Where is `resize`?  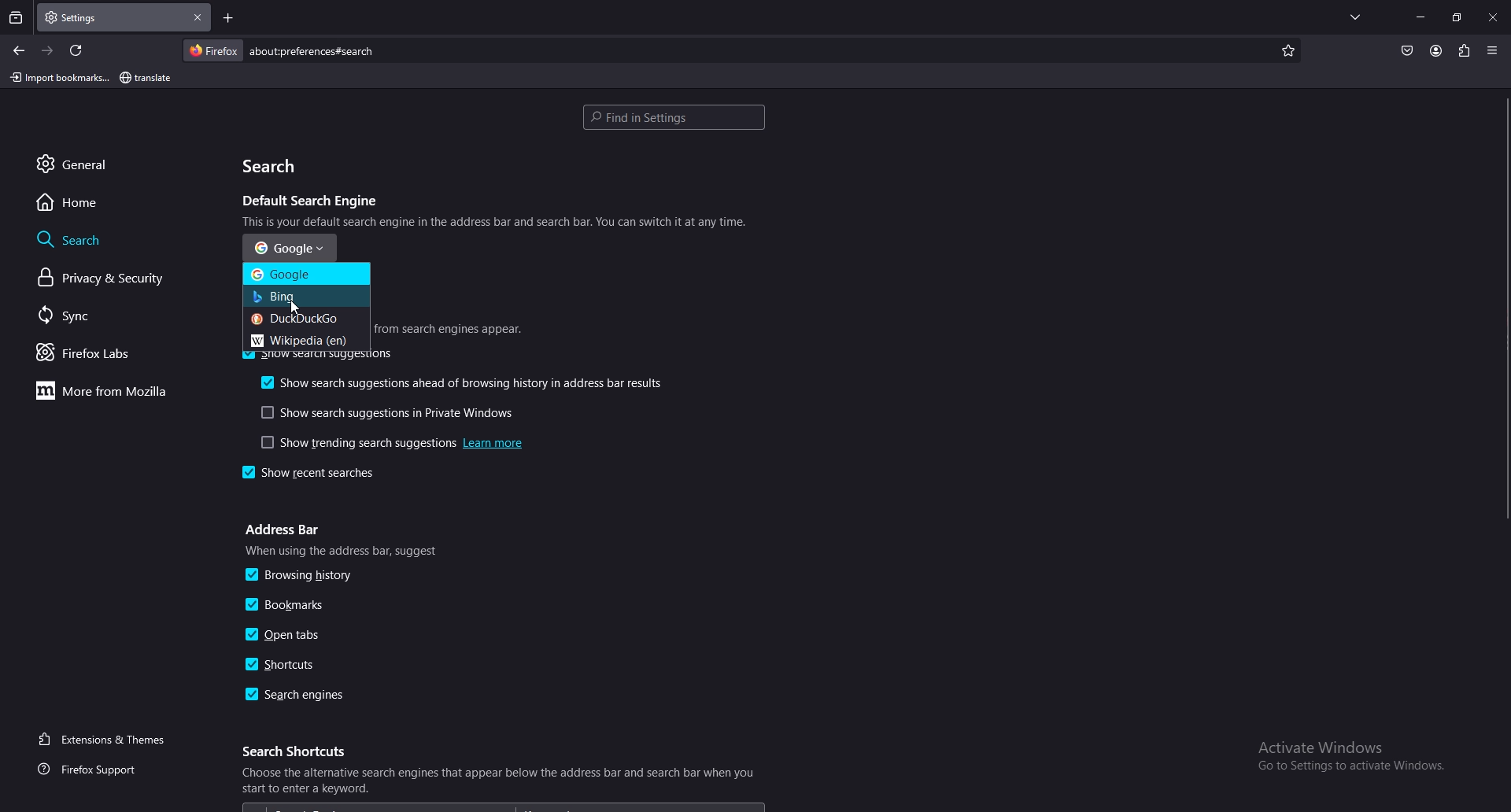
resize is located at coordinates (1457, 17).